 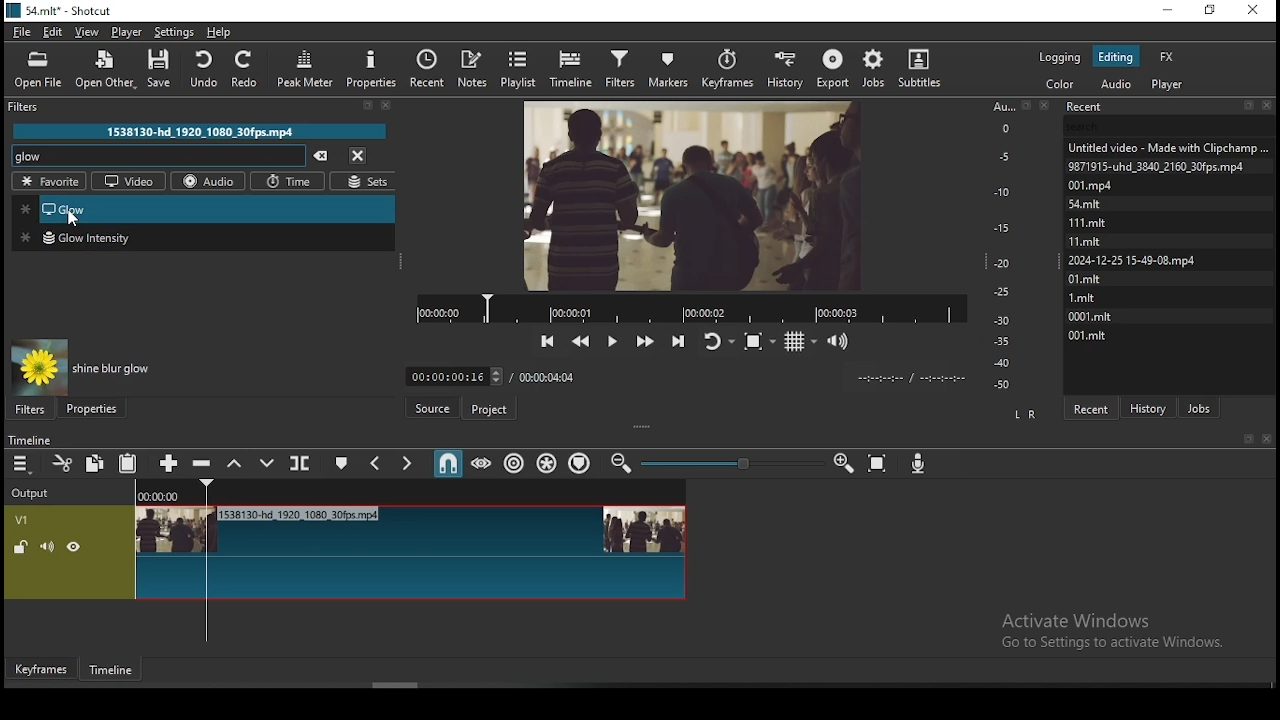 What do you see at coordinates (210, 181) in the screenshot?
I see `audio` at bounding box center [210, 181].